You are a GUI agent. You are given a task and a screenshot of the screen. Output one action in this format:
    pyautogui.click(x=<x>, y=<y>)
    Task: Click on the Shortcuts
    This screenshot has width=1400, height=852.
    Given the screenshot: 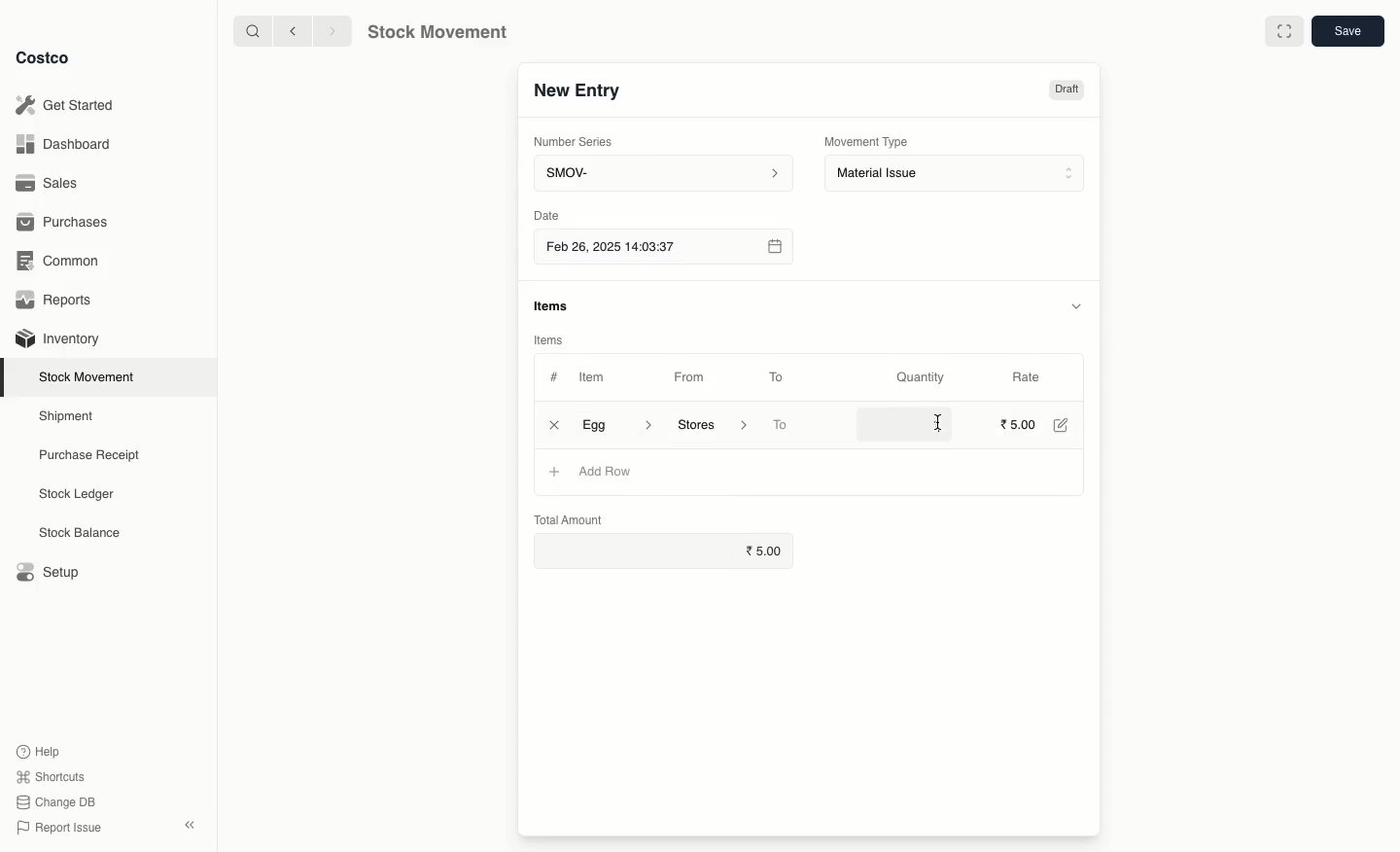 What is the action you would take?
    pyautogui.click(x=51, y=774)
    